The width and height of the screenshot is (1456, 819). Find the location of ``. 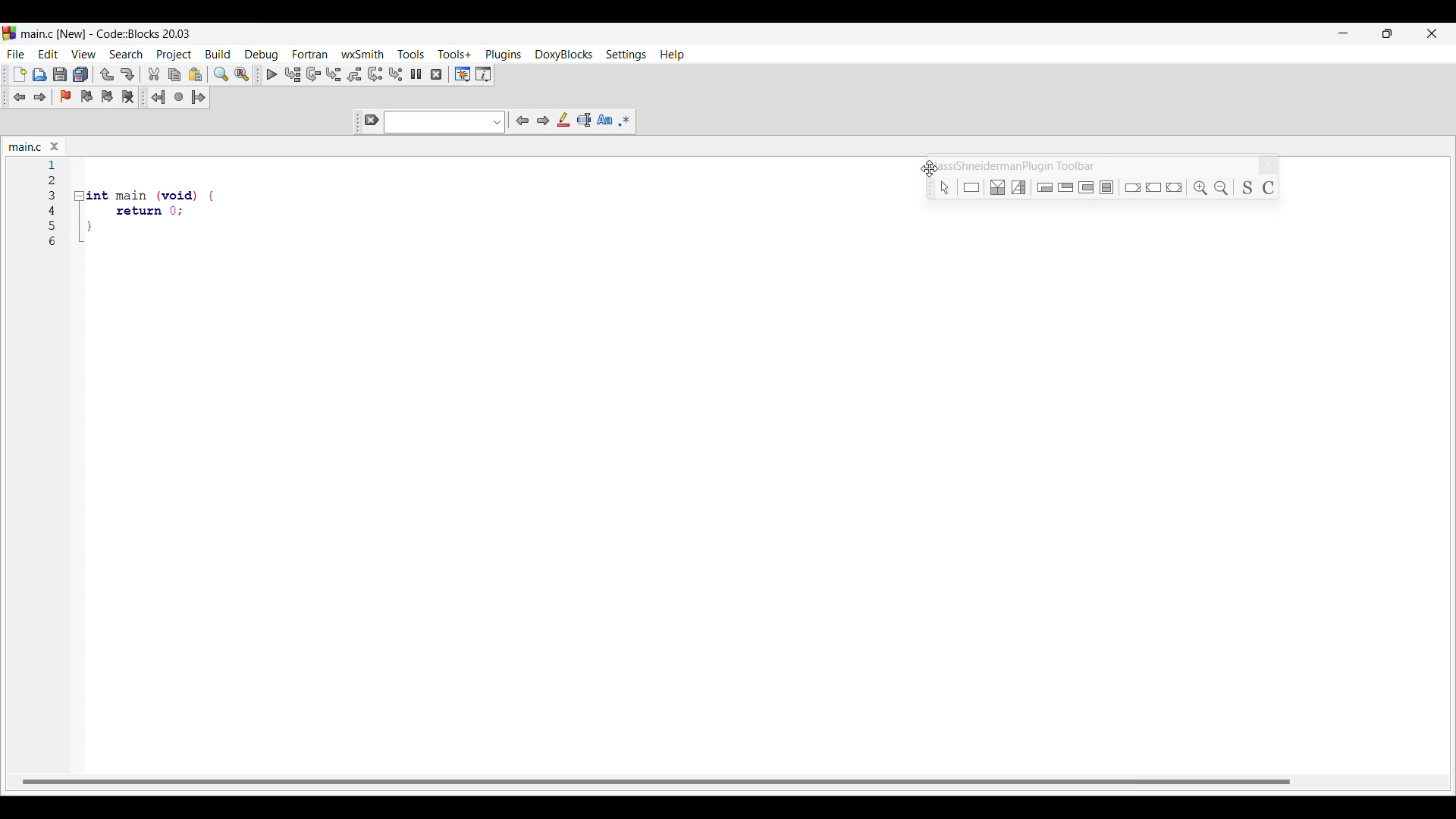

 is located at coordinates (1247, 187).